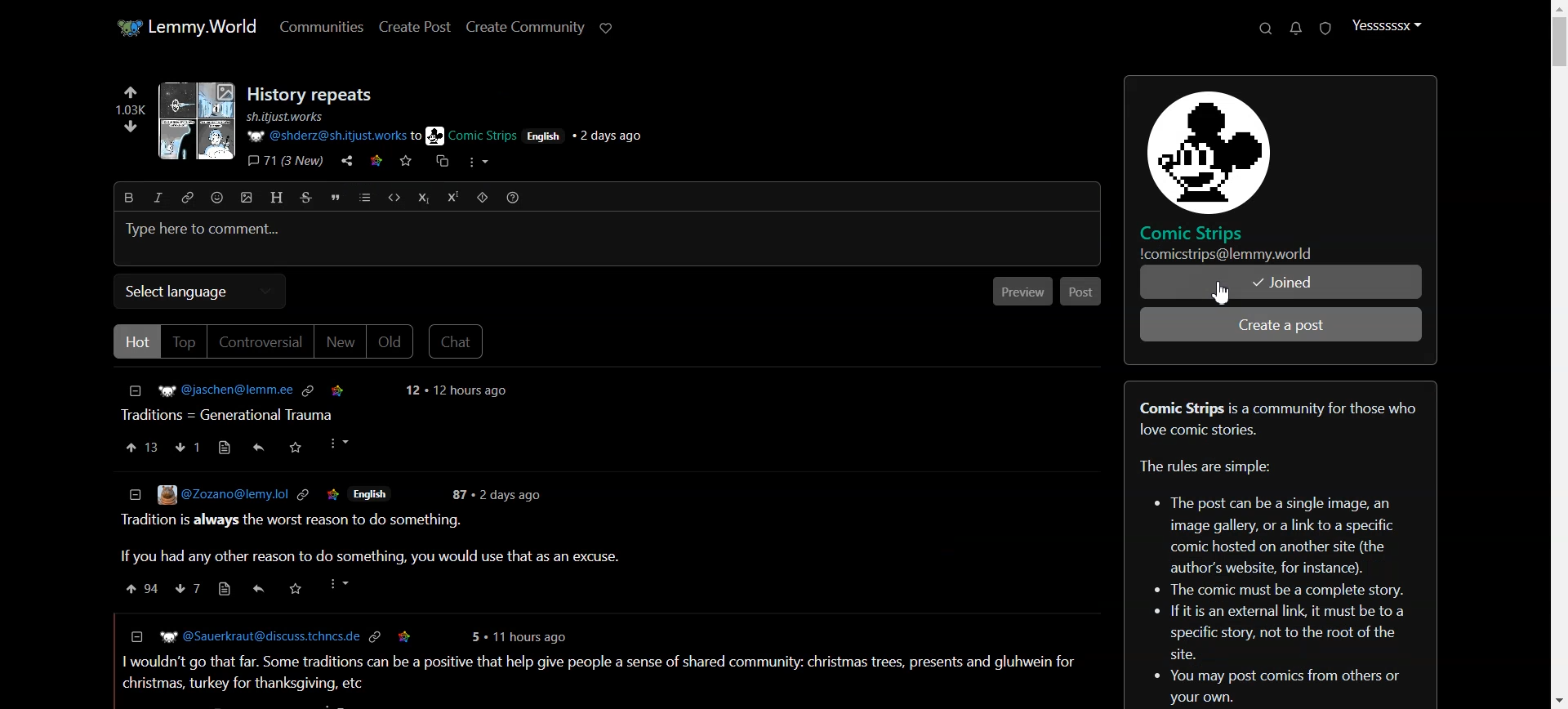  Describe the element at coordinates (208, 390) in the screenshot. I see `@jaschen@lemm.ce` at that location.